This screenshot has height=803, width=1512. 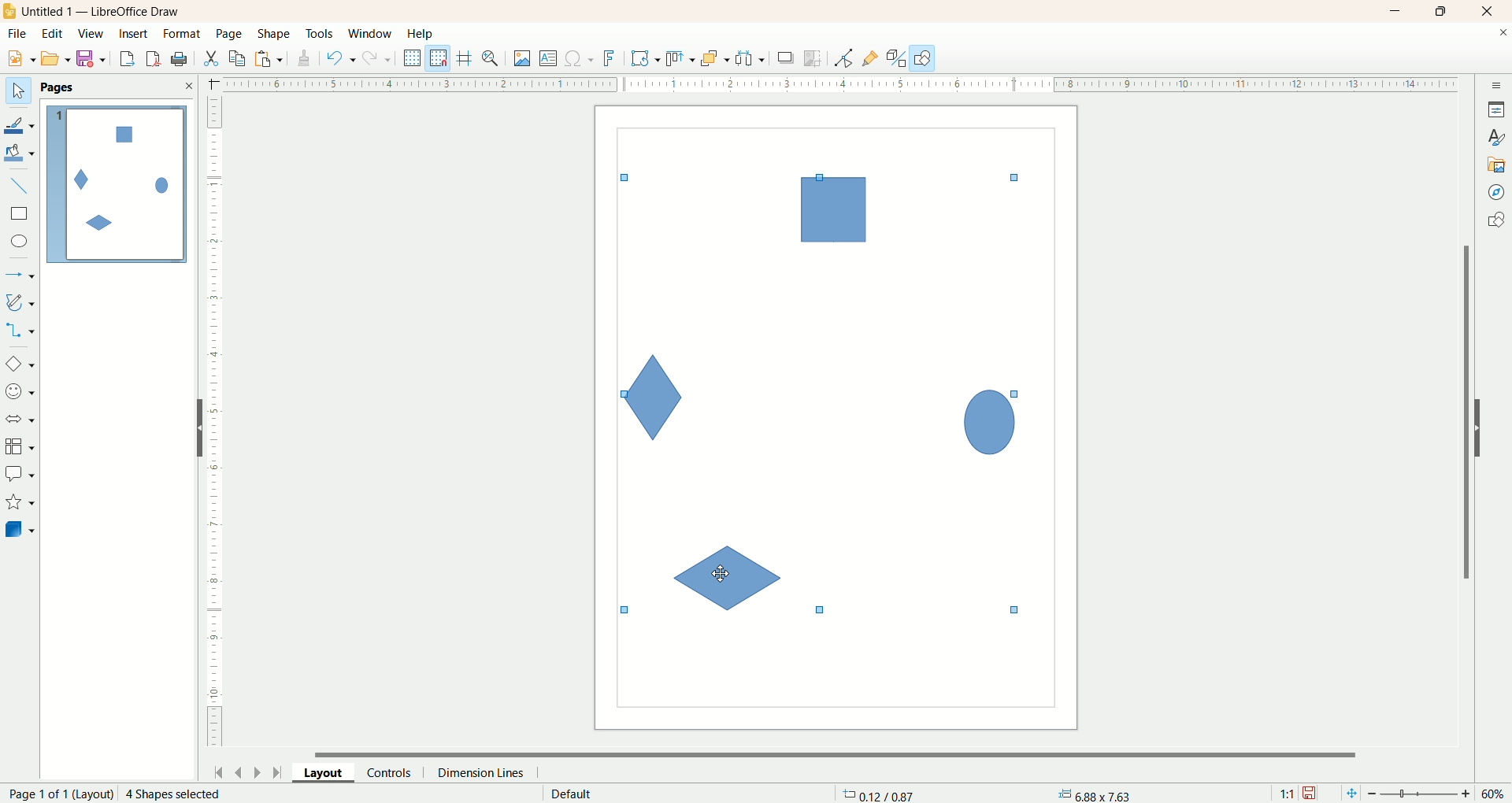 I want to click on control, so click(x=396, y=772).